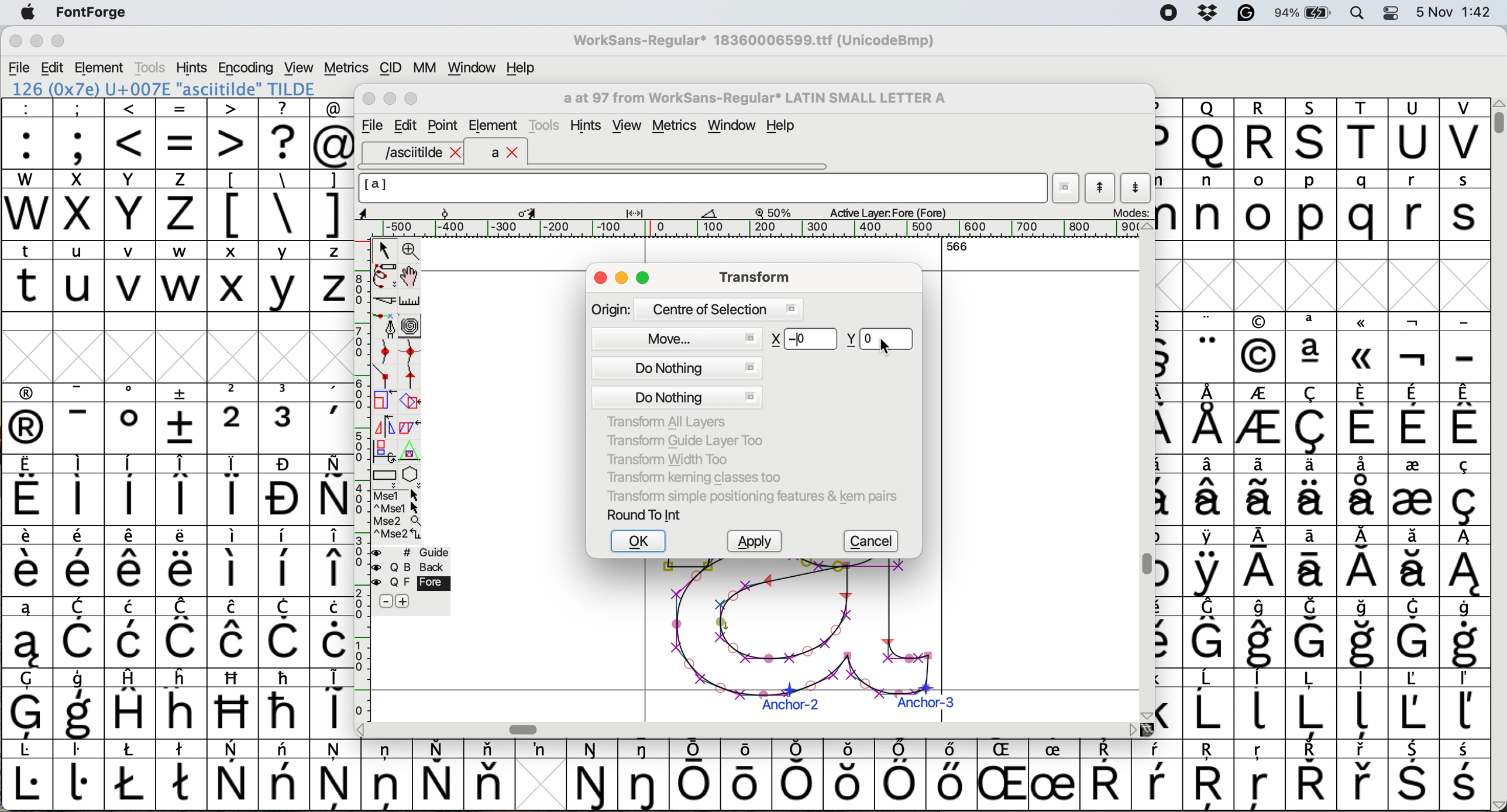 The height and width of the screenshot is (812, 1507). What do you see at coordinates (696, 308) in the screenshot?
I see `origin` at bounding box center [696, 308].